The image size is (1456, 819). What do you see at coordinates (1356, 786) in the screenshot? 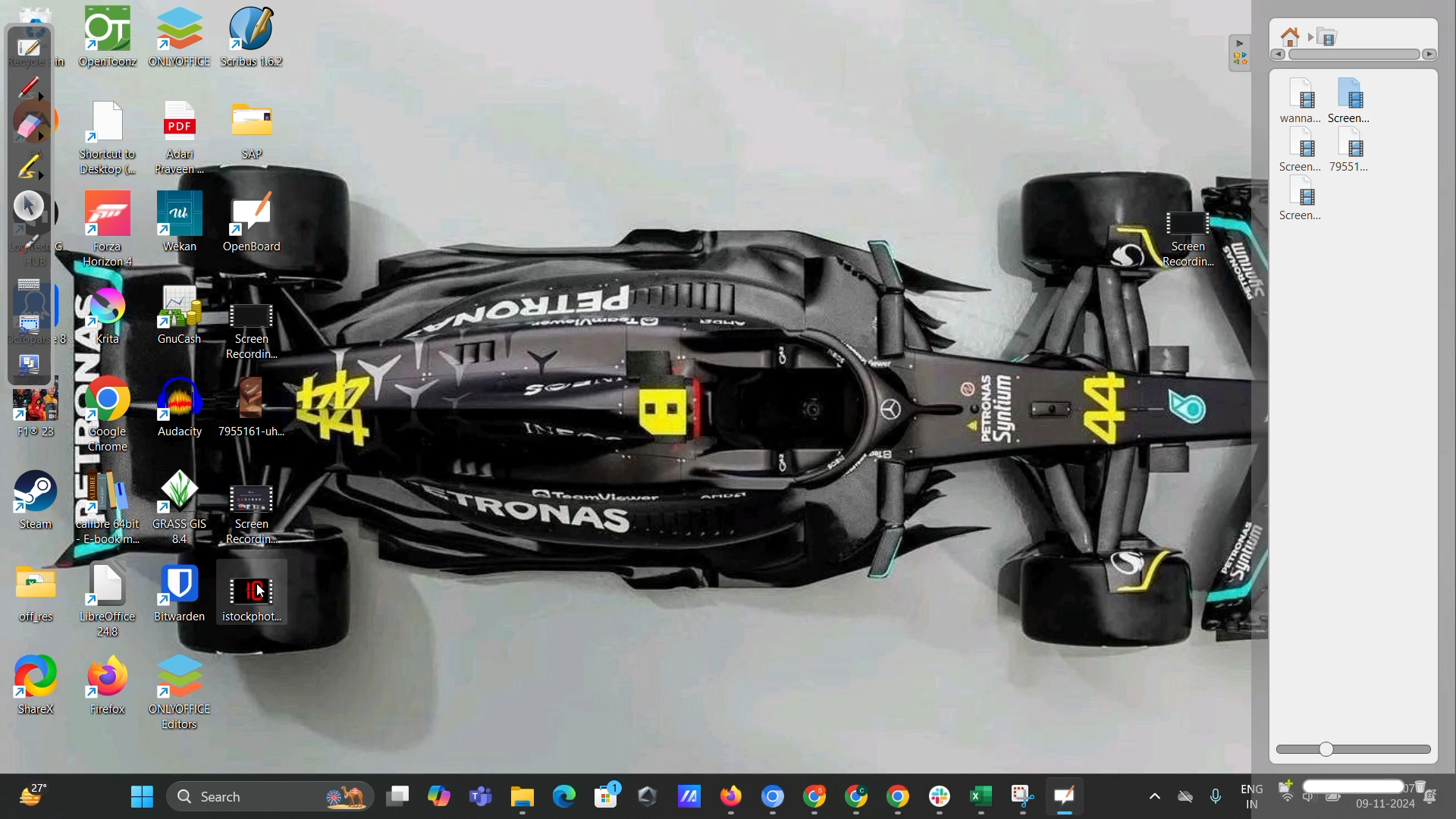
I see `name box` at bounding box center [1356, 786].